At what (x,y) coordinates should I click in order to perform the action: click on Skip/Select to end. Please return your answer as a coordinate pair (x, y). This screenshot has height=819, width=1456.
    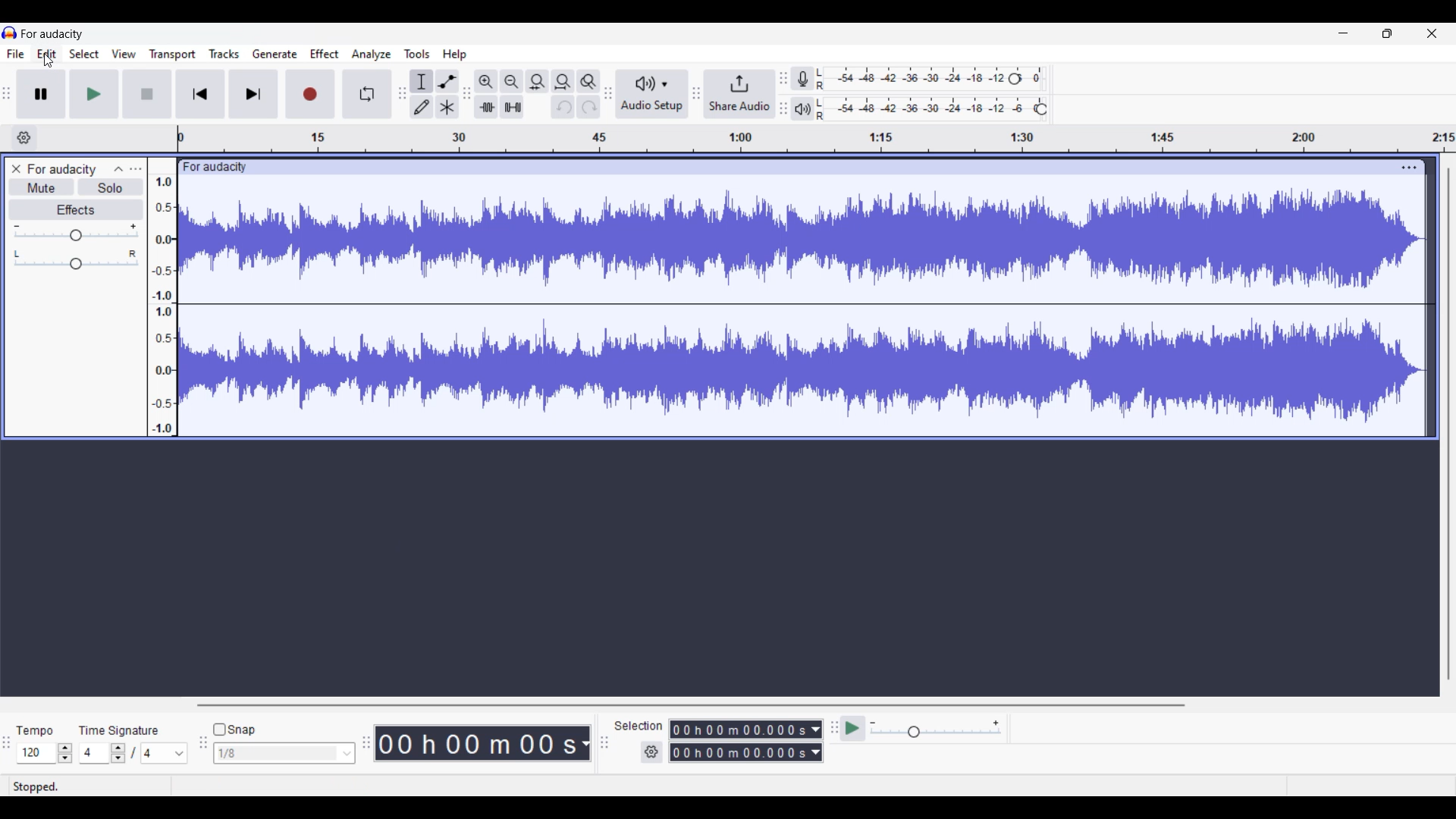
    Looking at the image, I should click on (253, 94).